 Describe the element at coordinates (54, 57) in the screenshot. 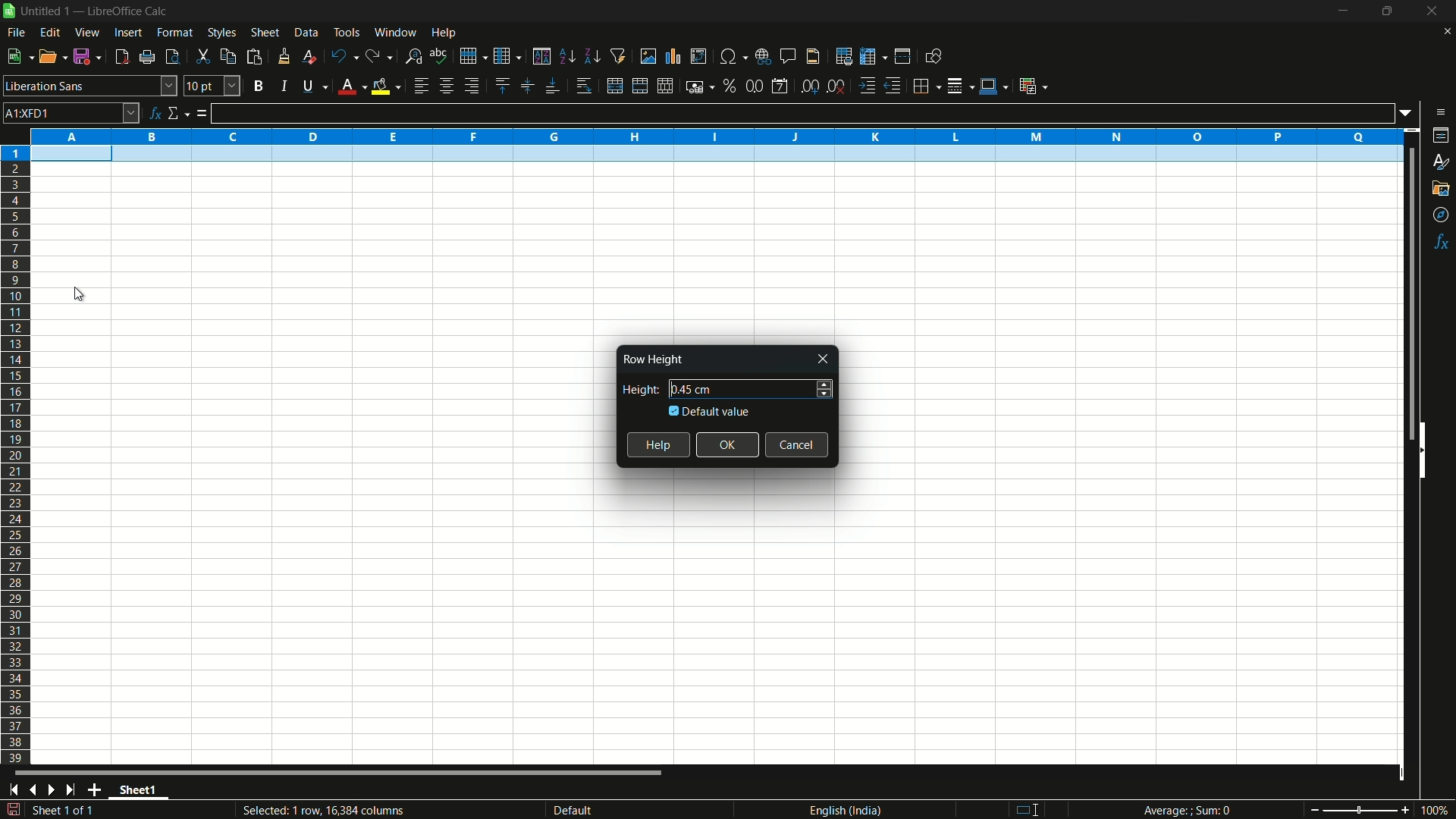

I see `open file` at that location.